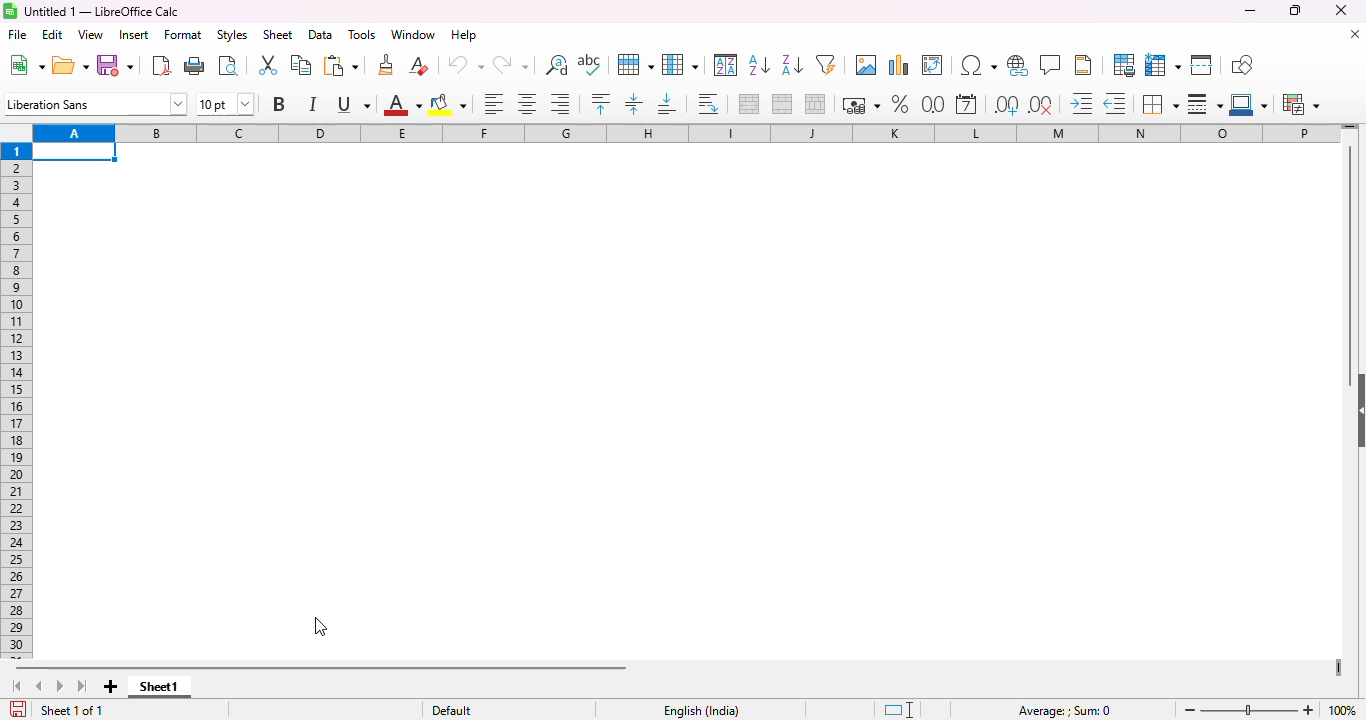 The height and width of the screenshot is (720, 1366). I want to click on edit, so click(53, 34).